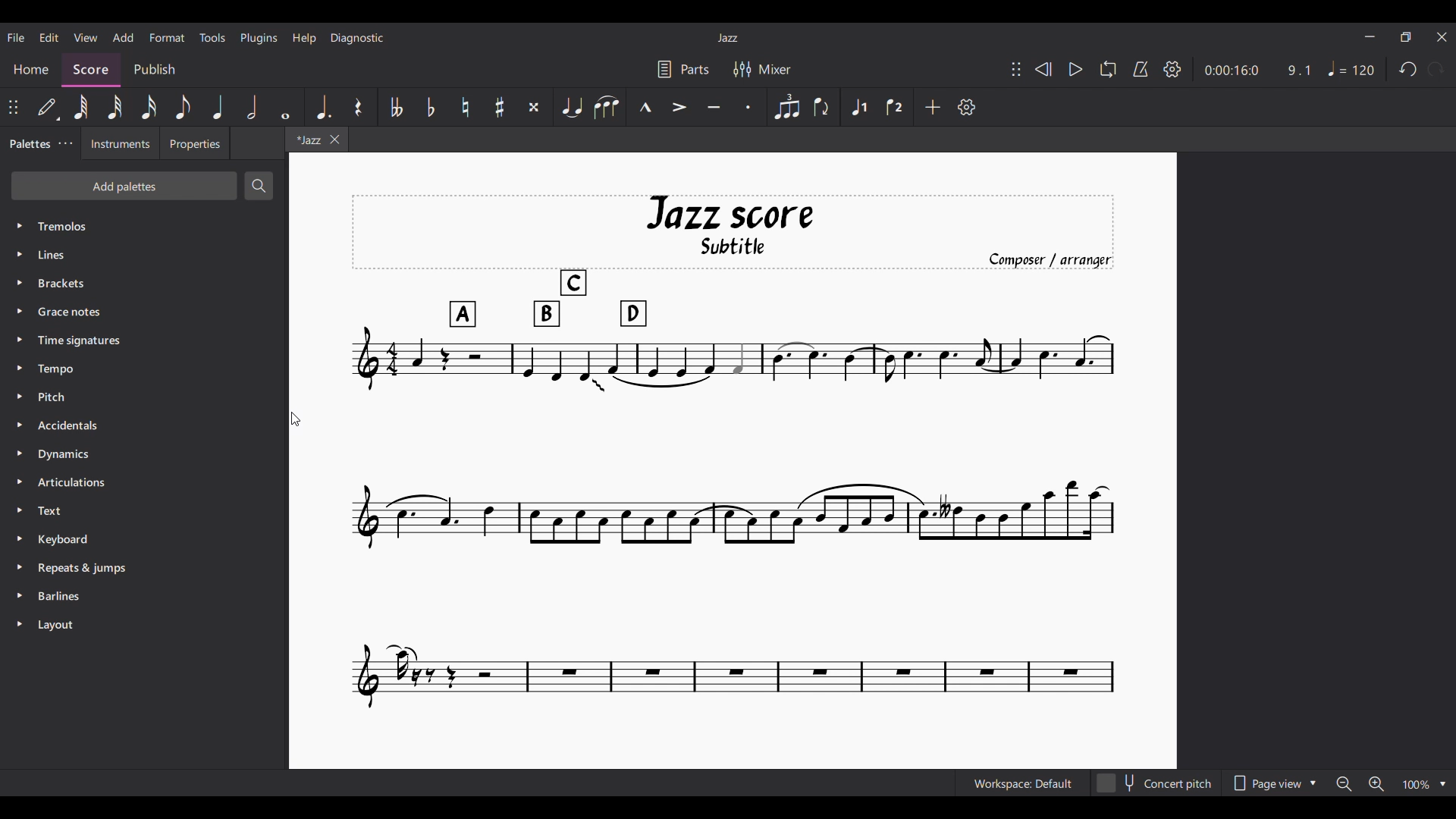 The height and width of the screenshot is (819, 1456). I want to click on Palette settings, so click(65, 143).